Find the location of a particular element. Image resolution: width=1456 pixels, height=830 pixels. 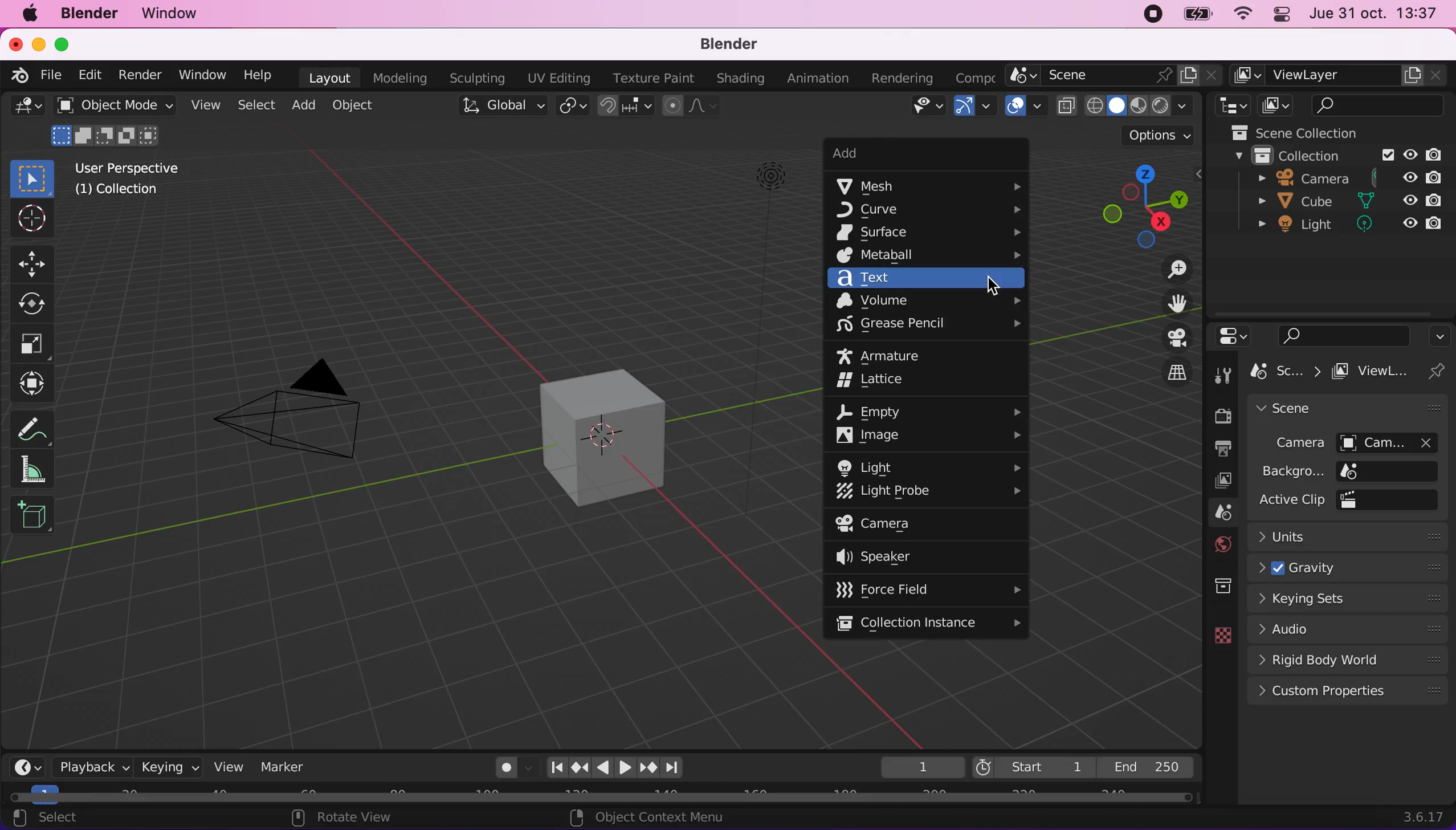

horizontal slider is located at coordinates (602, 798).